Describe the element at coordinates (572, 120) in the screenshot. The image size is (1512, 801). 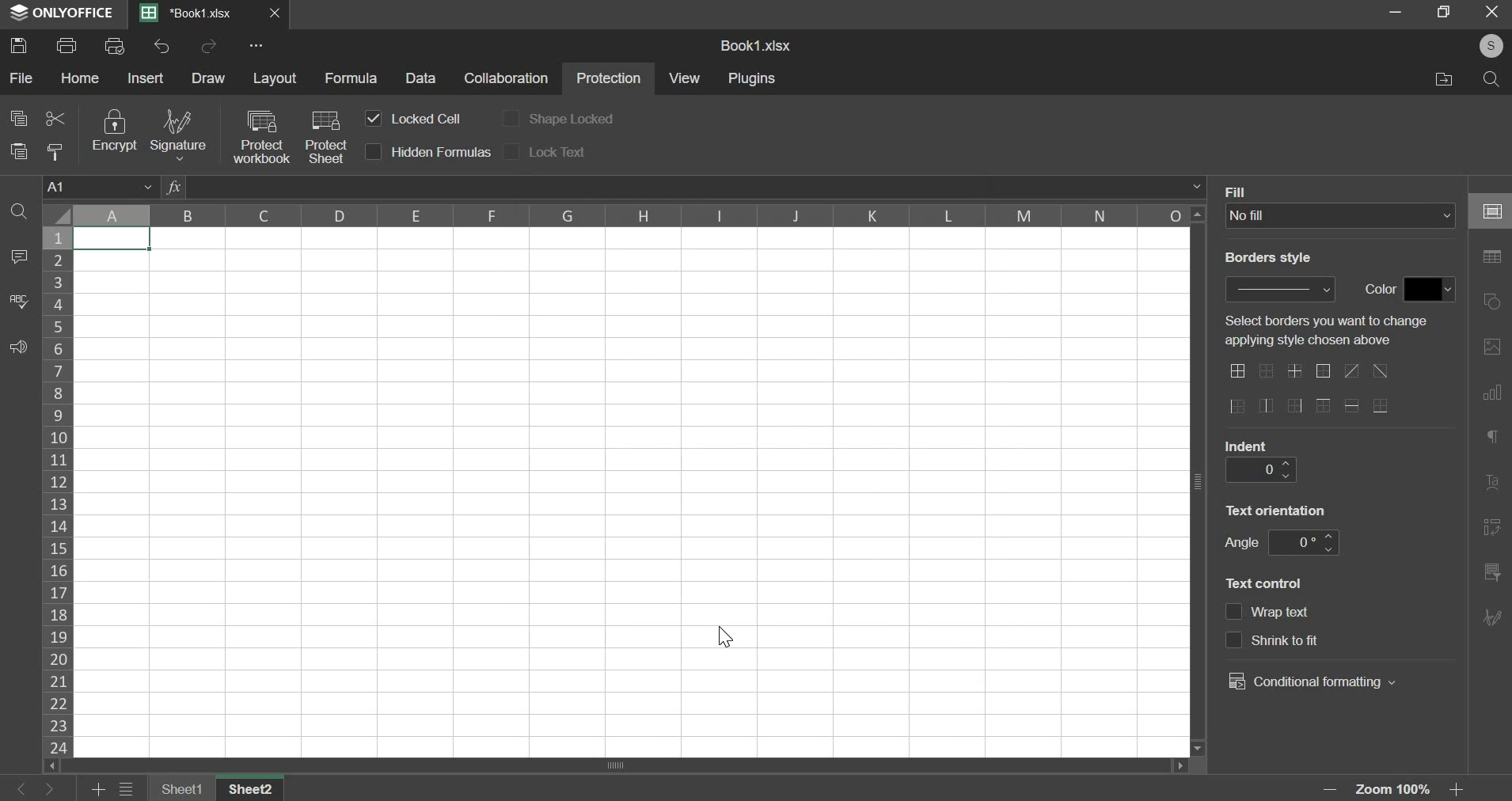
I see `shape locked` at that location.